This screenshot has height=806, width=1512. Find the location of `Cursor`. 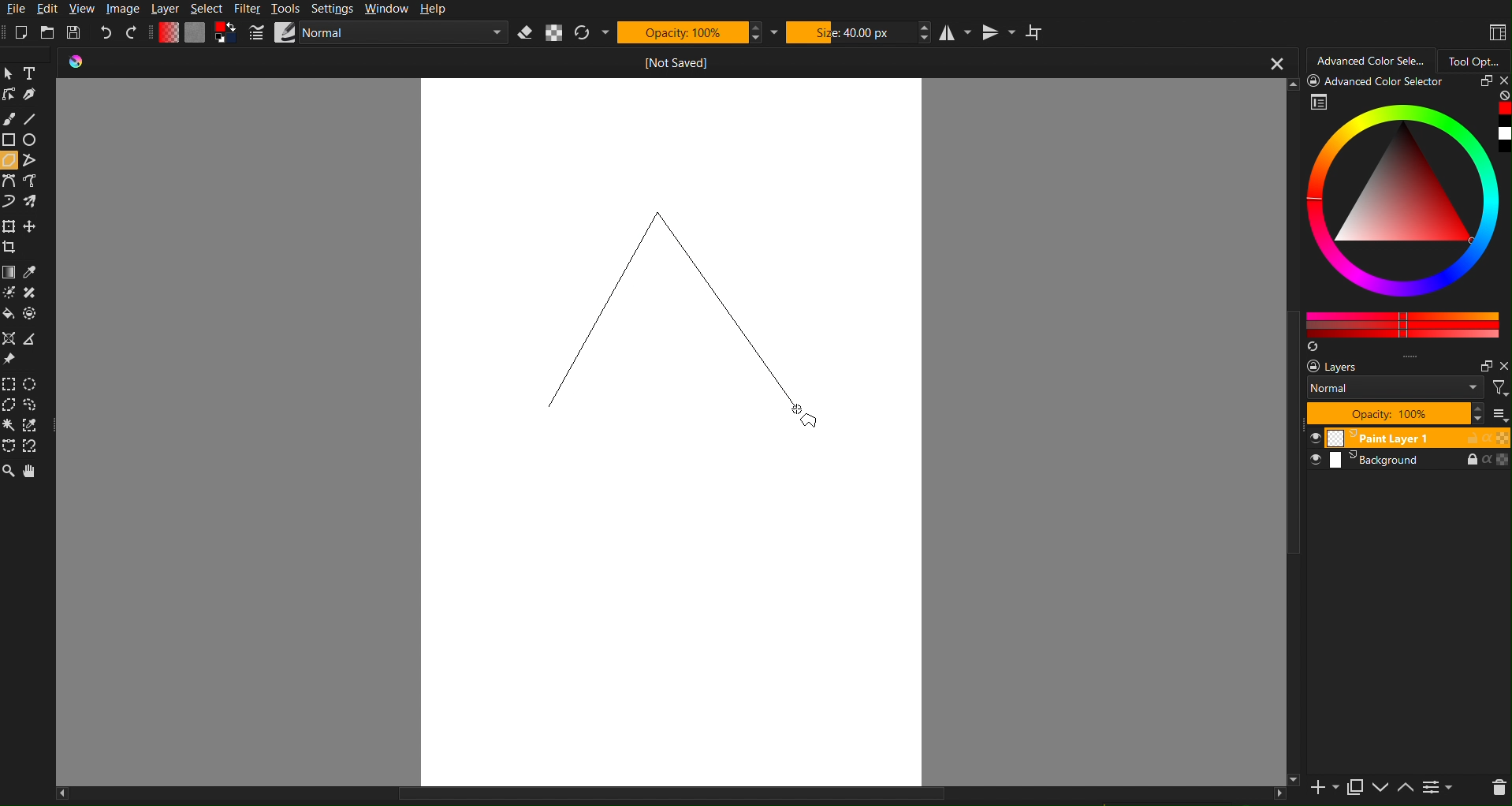

Cursor is located at coordinates (806, 413).